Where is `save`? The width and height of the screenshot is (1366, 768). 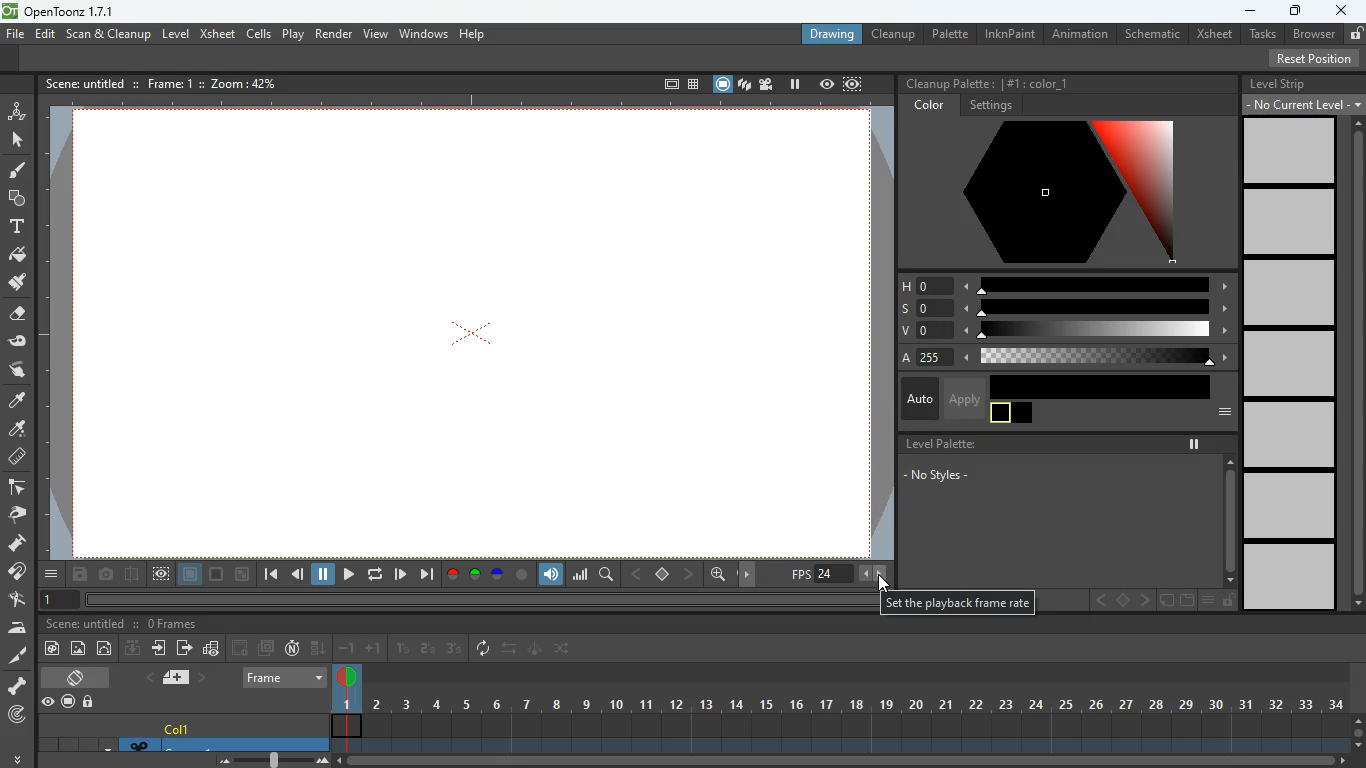 save is located at coordinates (79, 575).